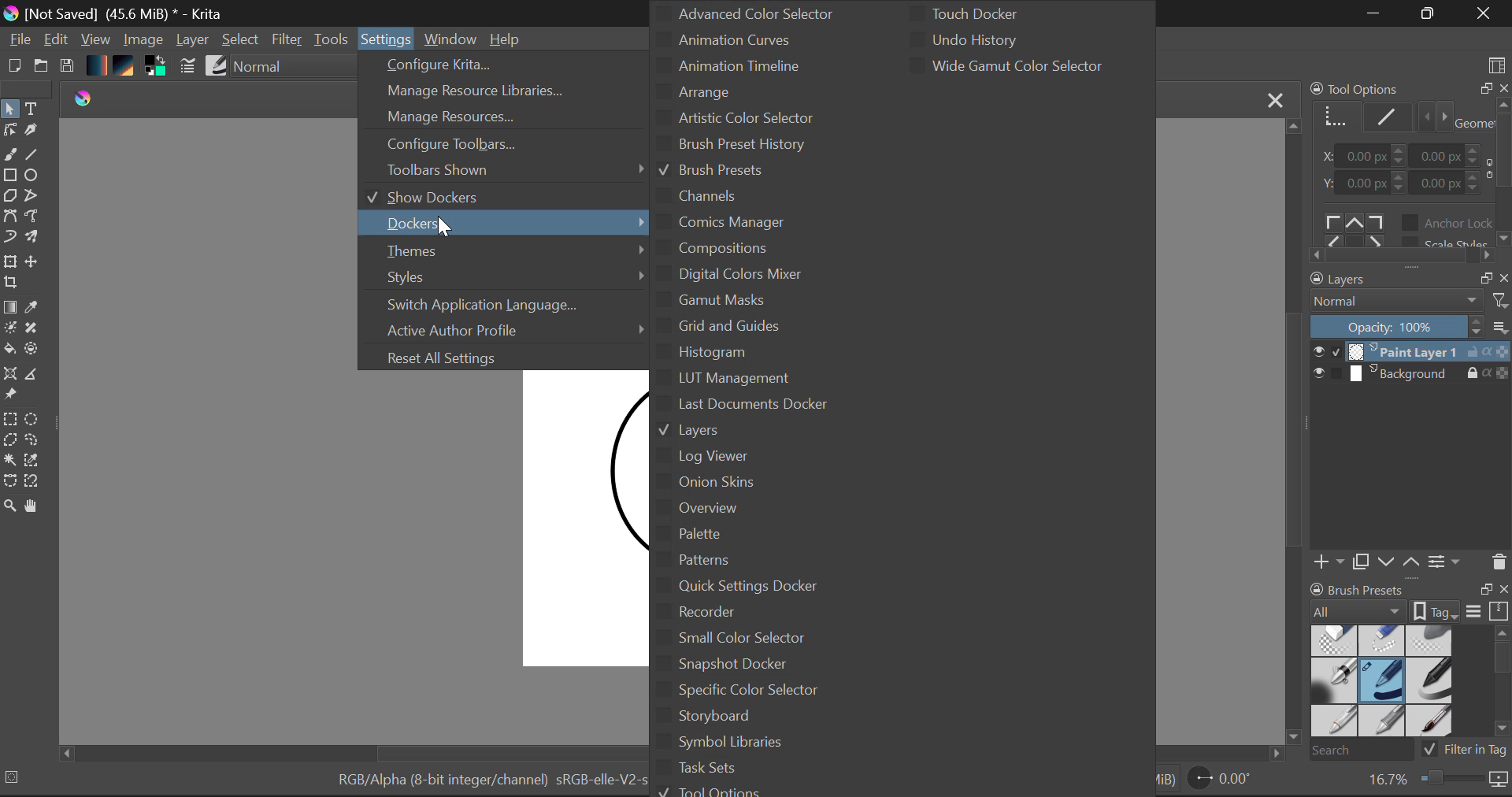 The image size is (1512, 797). Describe the element at coordinates (10, 395) in the screenshot. I see `Reference Images` at that location.